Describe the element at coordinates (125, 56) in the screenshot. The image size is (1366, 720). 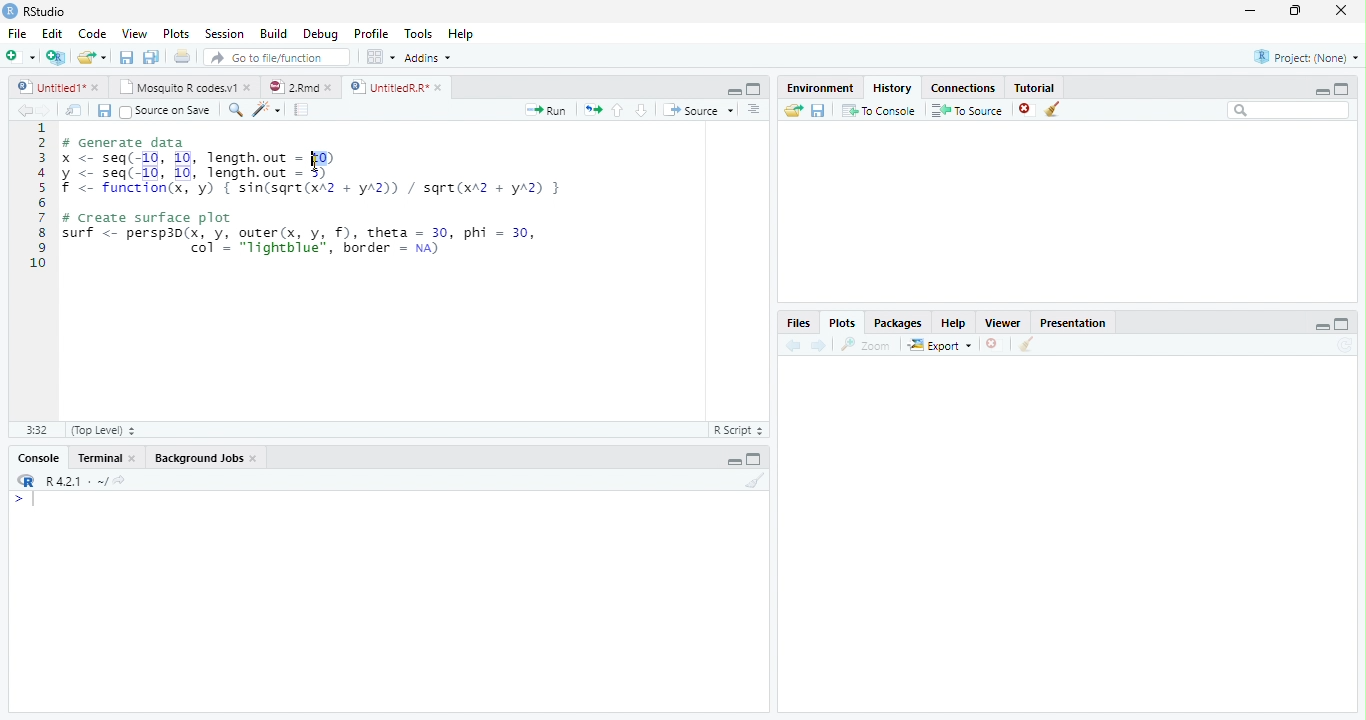
I see `Save current document` at that location.